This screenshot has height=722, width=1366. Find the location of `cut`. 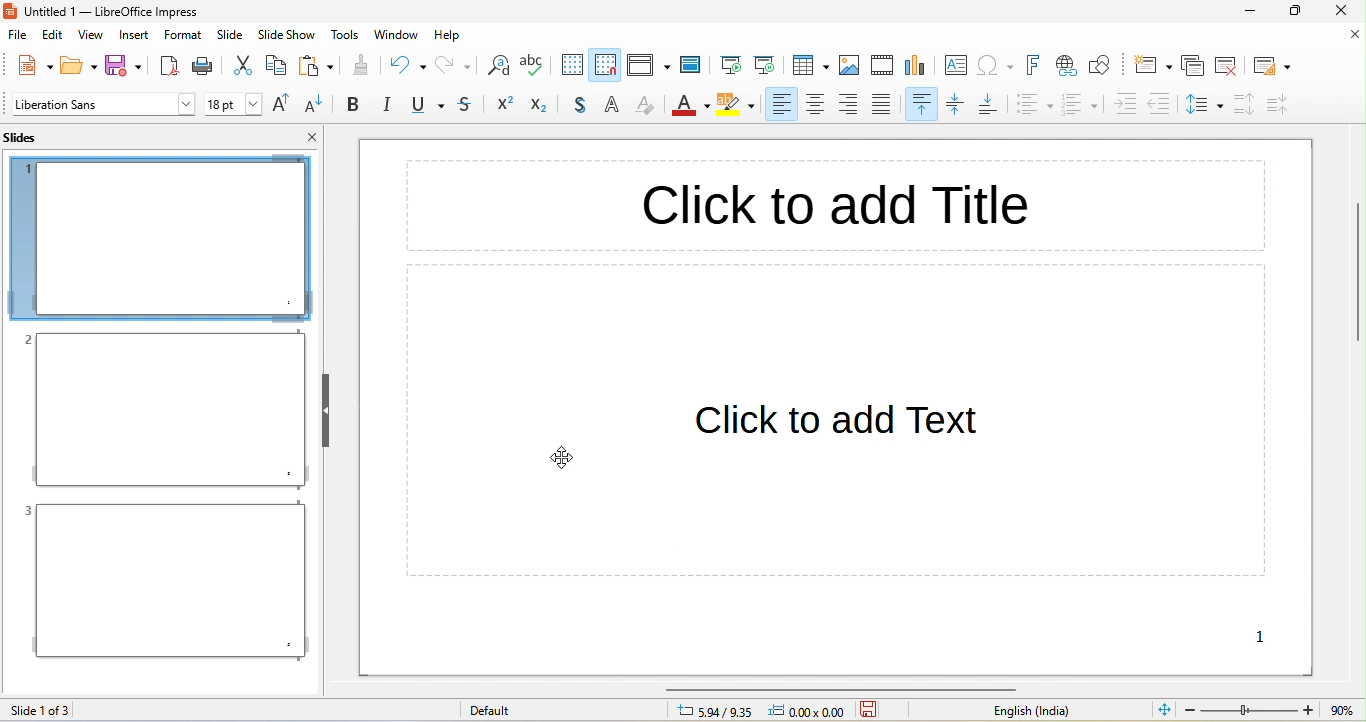

cut is located at coordinates (242, 65).